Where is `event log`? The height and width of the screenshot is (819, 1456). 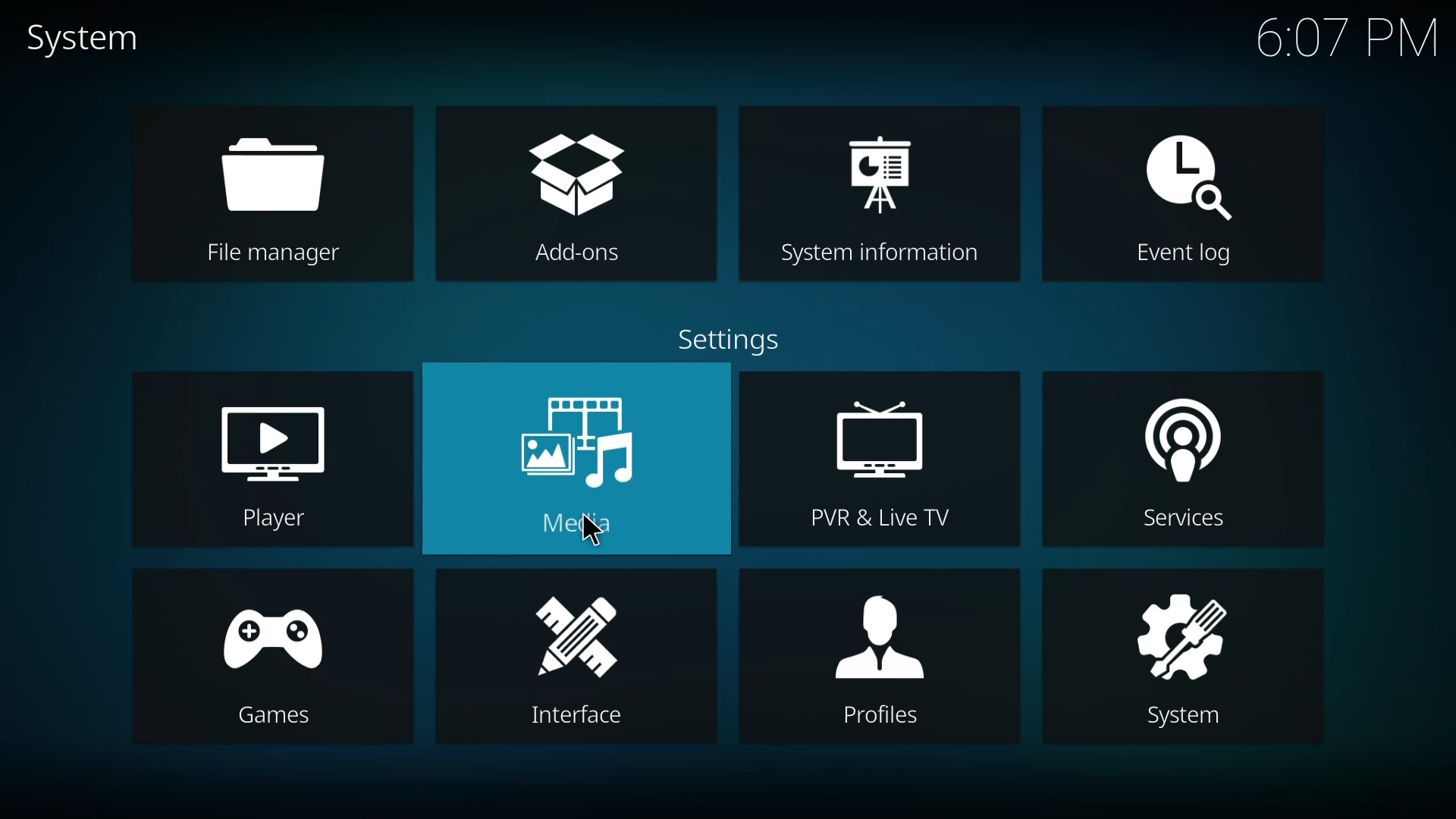 event log is located at coordinates (1185, 173).